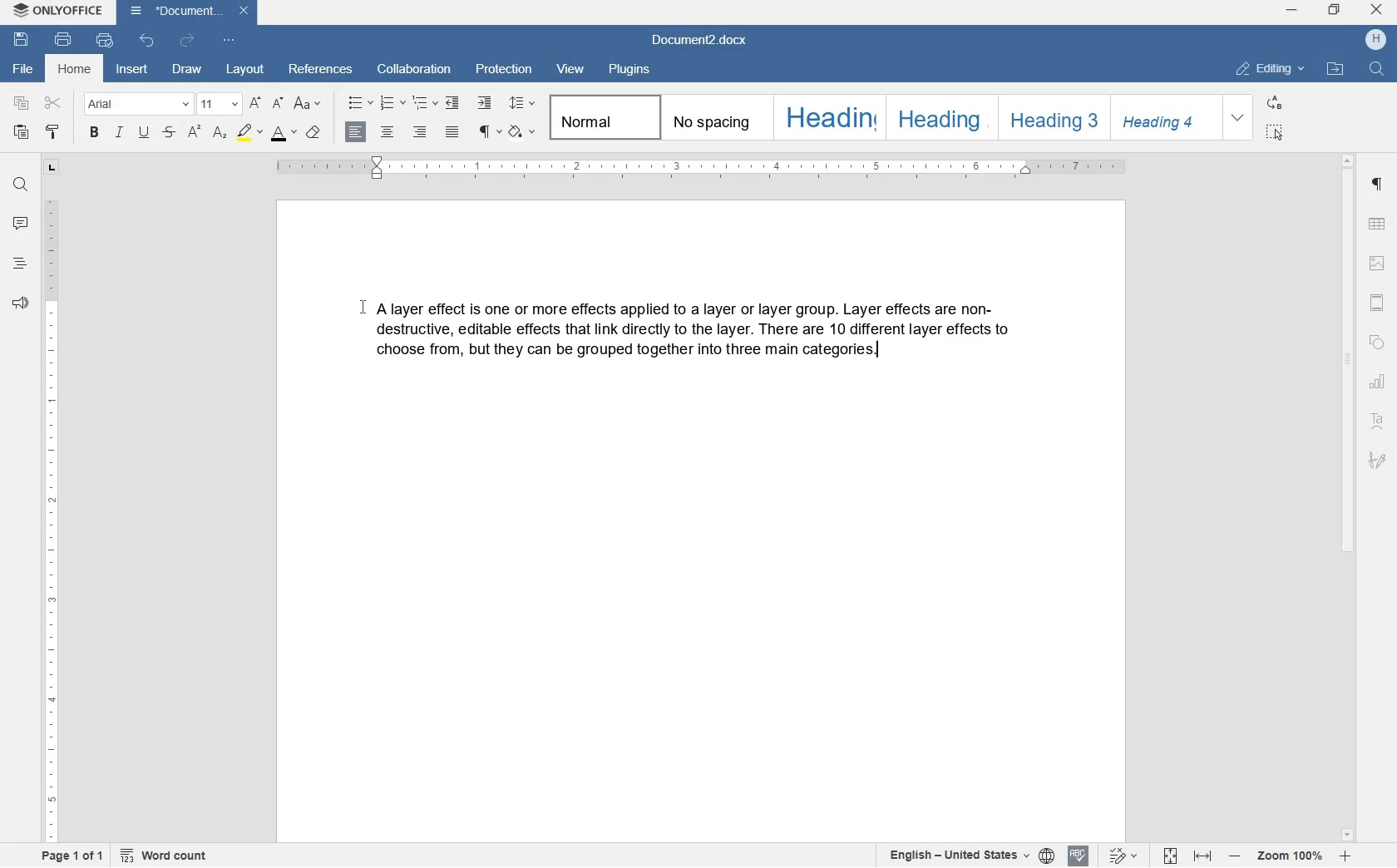  Describe the element at coordinates (704, 42) in the screenshot. I see `file name` at that location.